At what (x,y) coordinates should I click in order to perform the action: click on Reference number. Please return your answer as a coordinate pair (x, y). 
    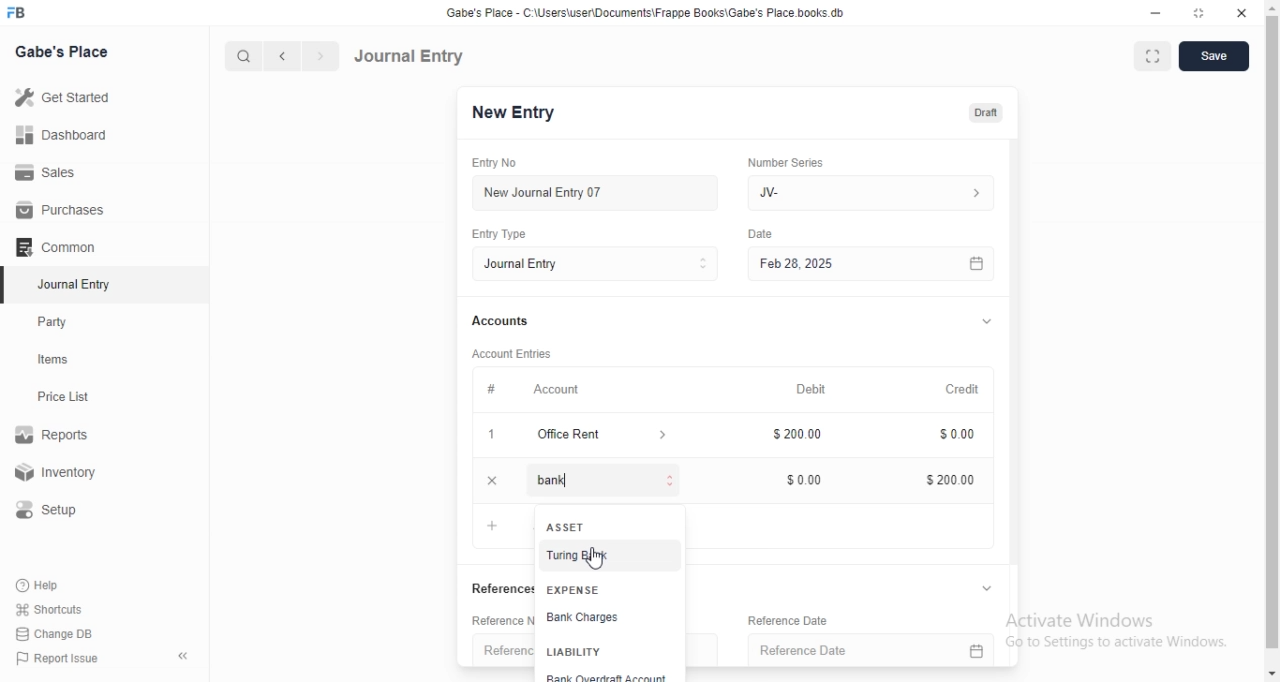
    Looking at the image, I should click on (506, 651).